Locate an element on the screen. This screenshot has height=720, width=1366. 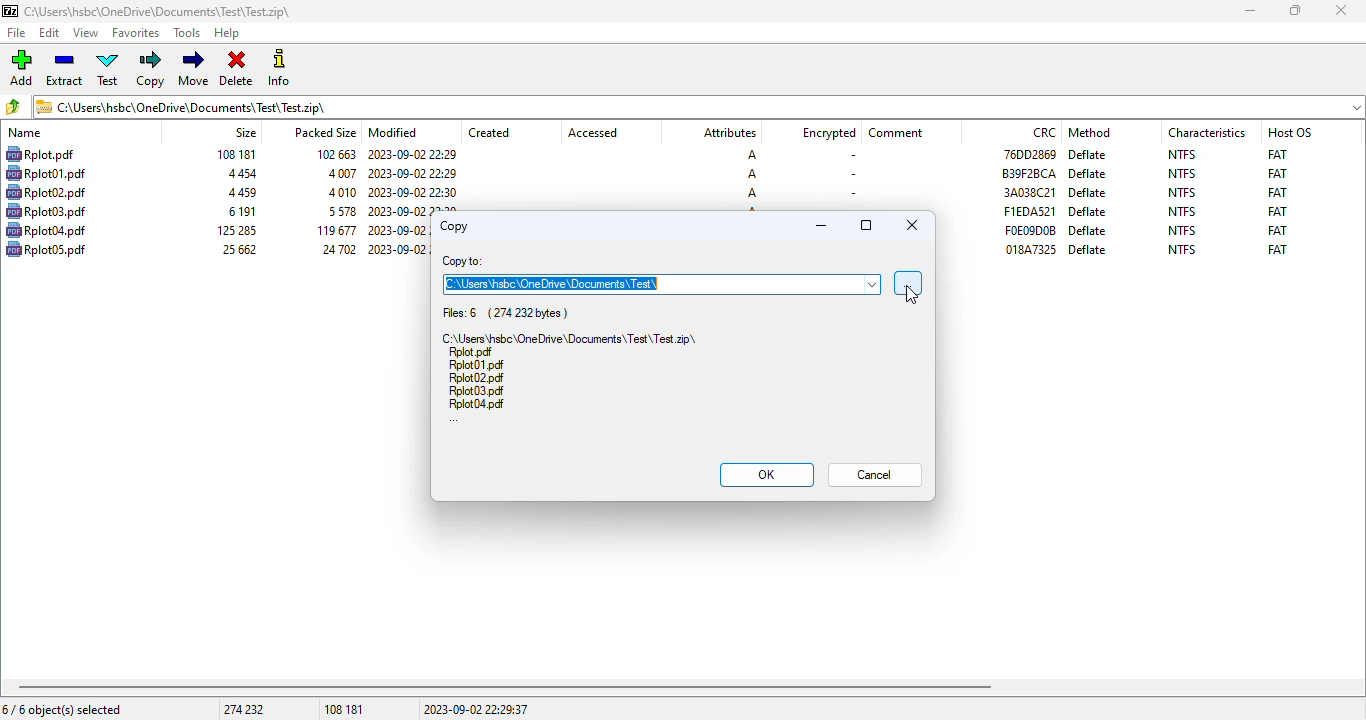
minimize is located at coordinates (1249, 11).